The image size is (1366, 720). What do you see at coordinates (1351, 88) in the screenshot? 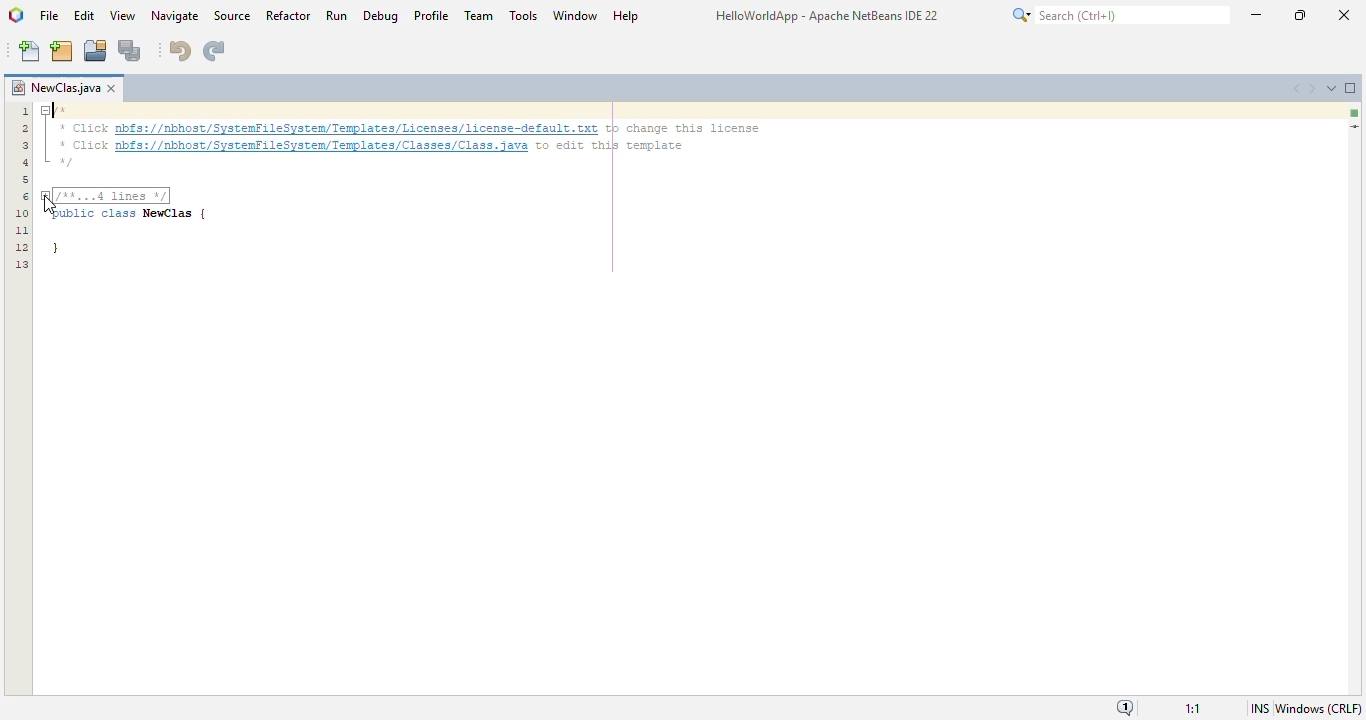
I see `maximize window` at bounding box center [1351, 88].